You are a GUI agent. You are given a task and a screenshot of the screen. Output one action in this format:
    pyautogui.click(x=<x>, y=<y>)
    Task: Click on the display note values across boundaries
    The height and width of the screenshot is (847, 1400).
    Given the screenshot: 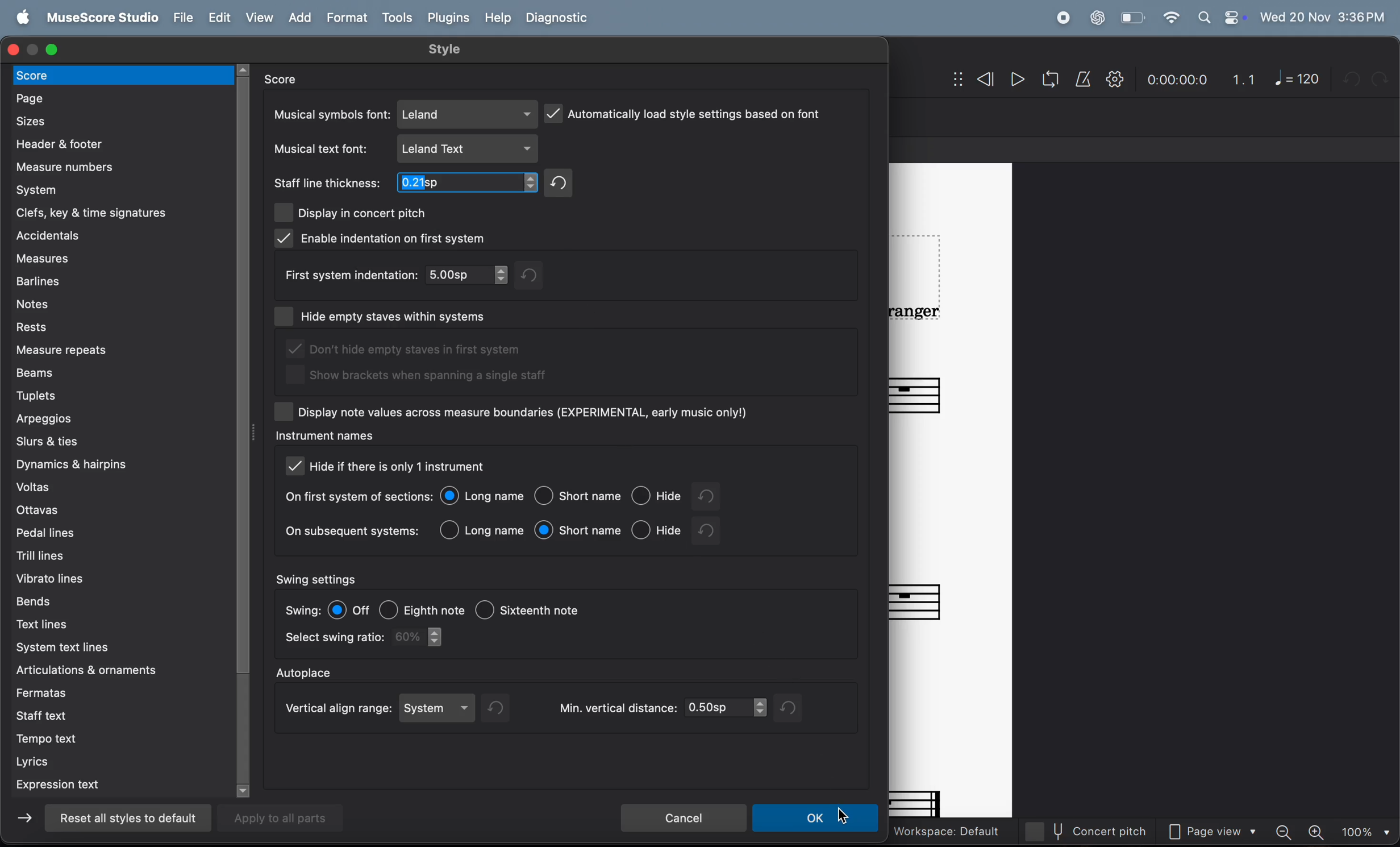 What is the action you would take?
    pyautogui.click(x=527, y=412)
    